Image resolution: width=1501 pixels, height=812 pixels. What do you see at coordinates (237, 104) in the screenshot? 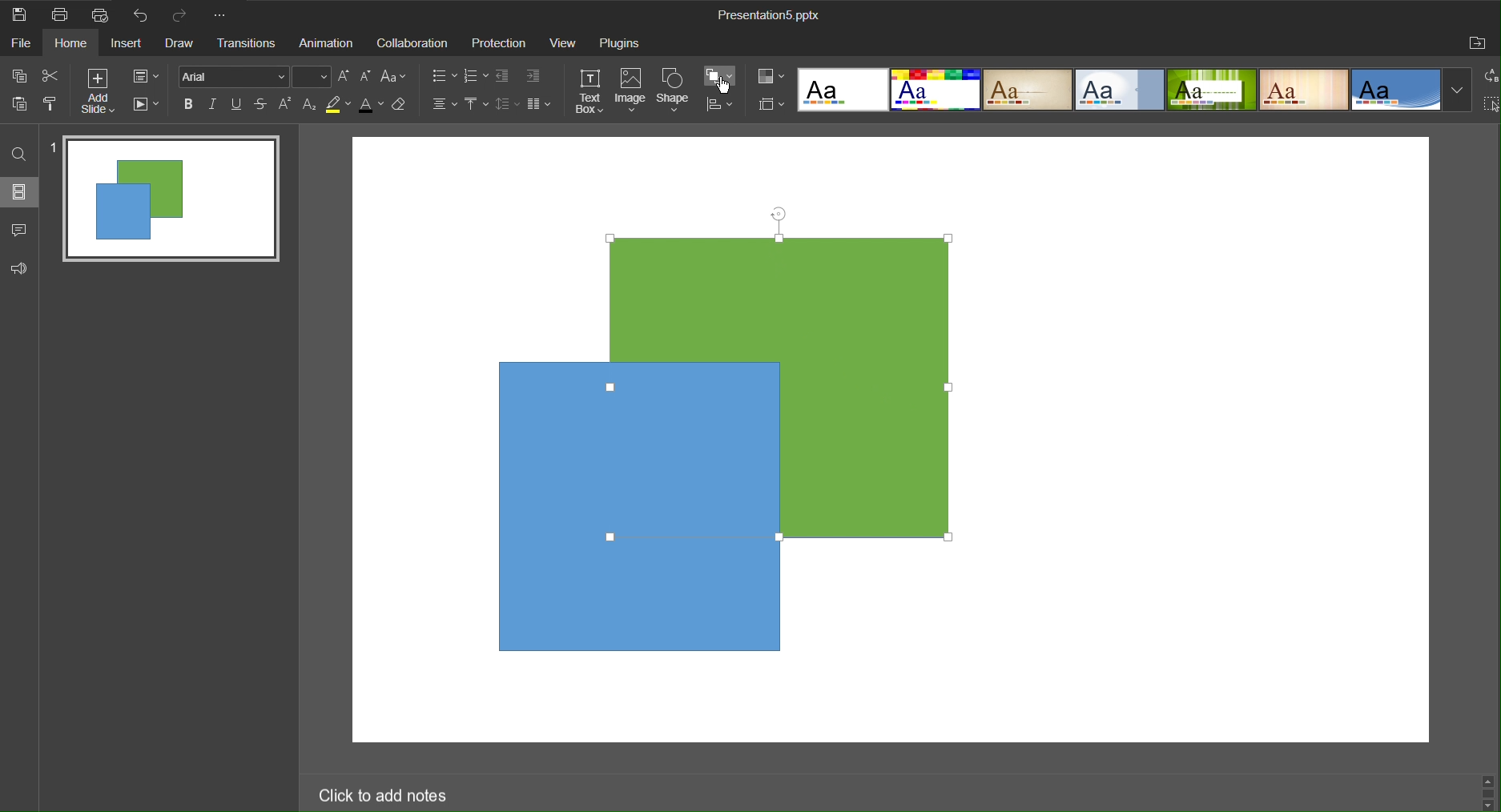
I see `underline` at bounding box center [237, 104].